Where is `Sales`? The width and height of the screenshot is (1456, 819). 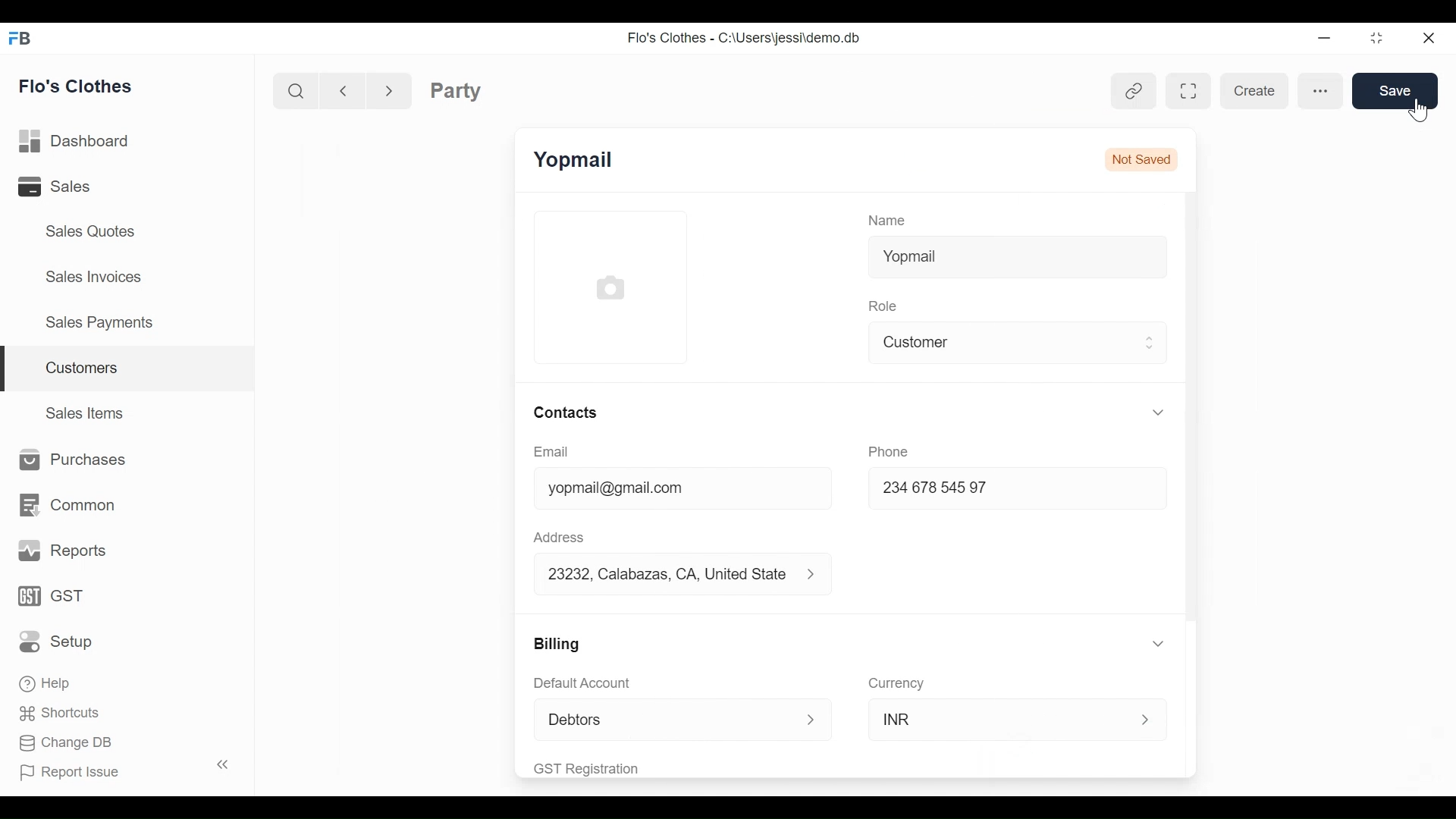
Sales is located at coordinates (75, 186).